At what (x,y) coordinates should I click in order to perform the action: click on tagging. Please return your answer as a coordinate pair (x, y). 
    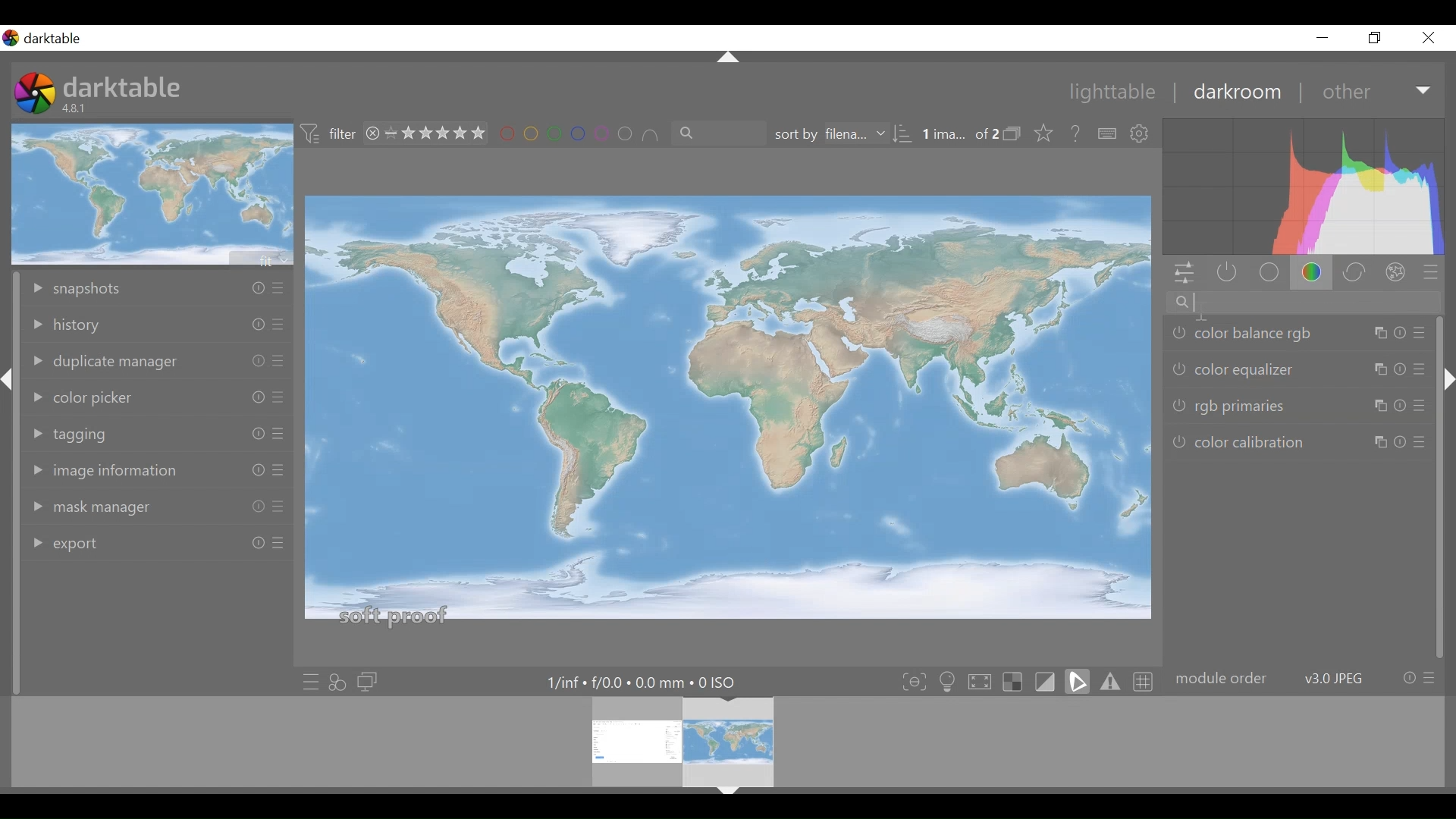
    Looking at the image, I should click on (93, 431).